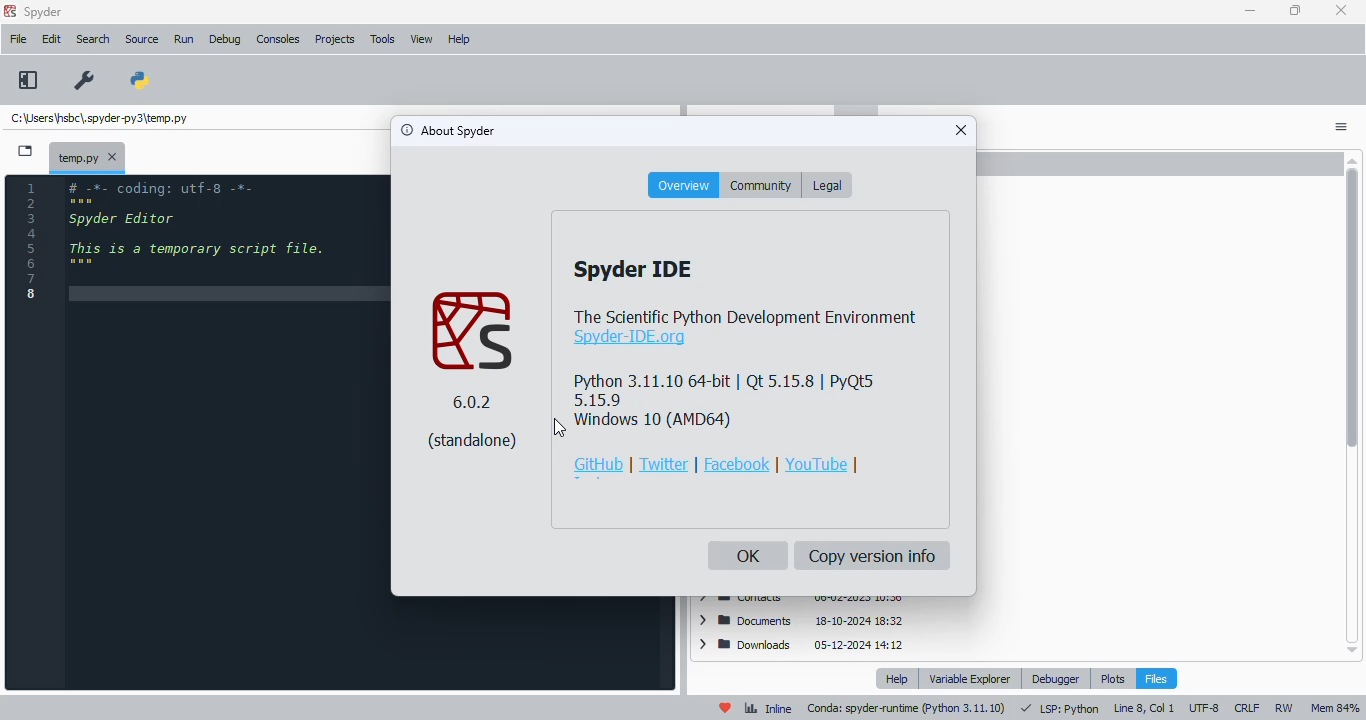 The image size is (1366, 720). I want to click on Python 3.11.10 64-bit | Qt 5.15.8 | PyQt5 5.15.9  Windows 10 (AMD64) , so click(727, 401).